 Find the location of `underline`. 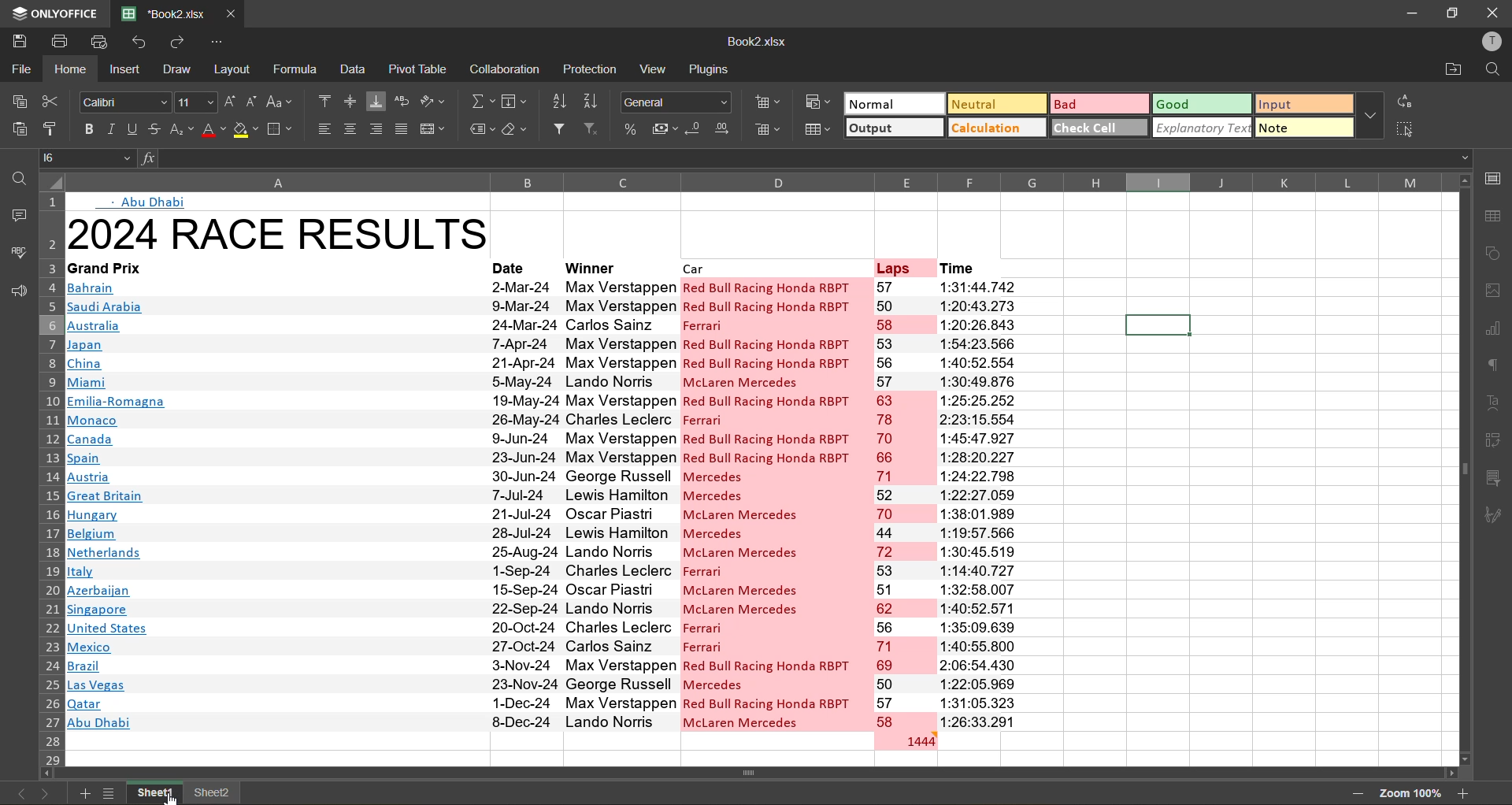

underline is located at coordinates (129, 131).